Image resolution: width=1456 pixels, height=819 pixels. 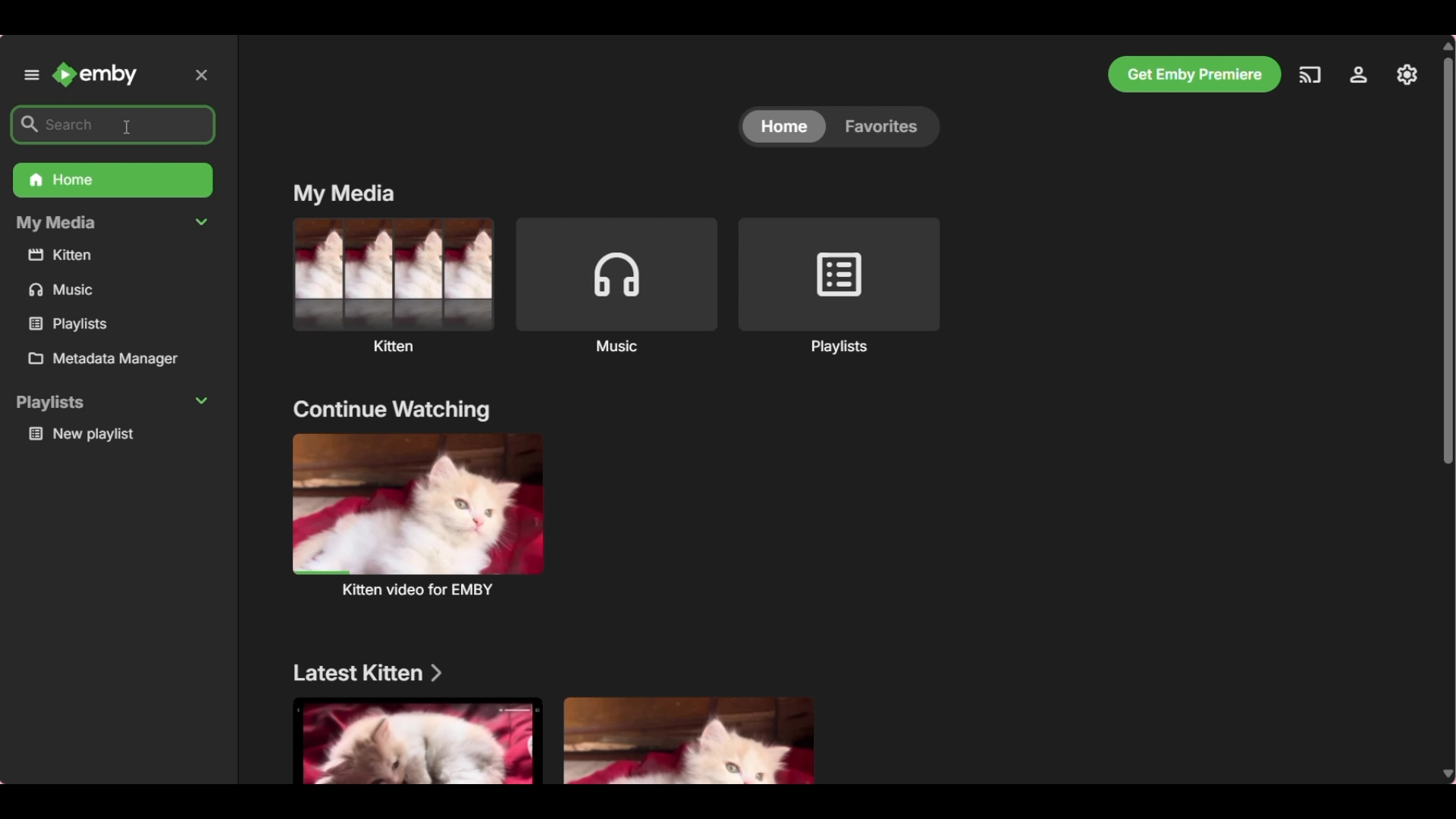 I want to click on playlists, so click(x=106, y=323).